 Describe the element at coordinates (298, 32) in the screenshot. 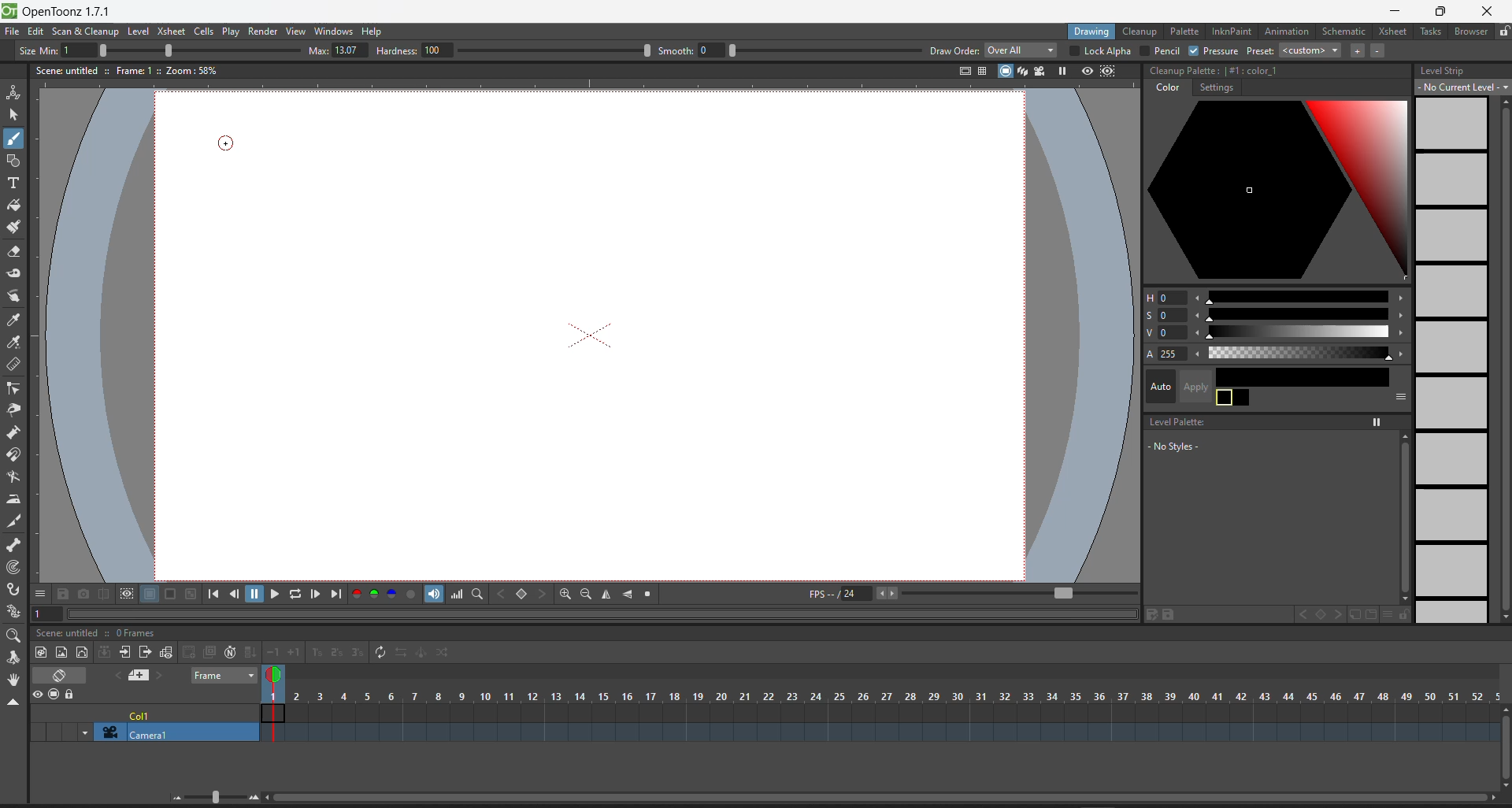

I see `view` at that location.